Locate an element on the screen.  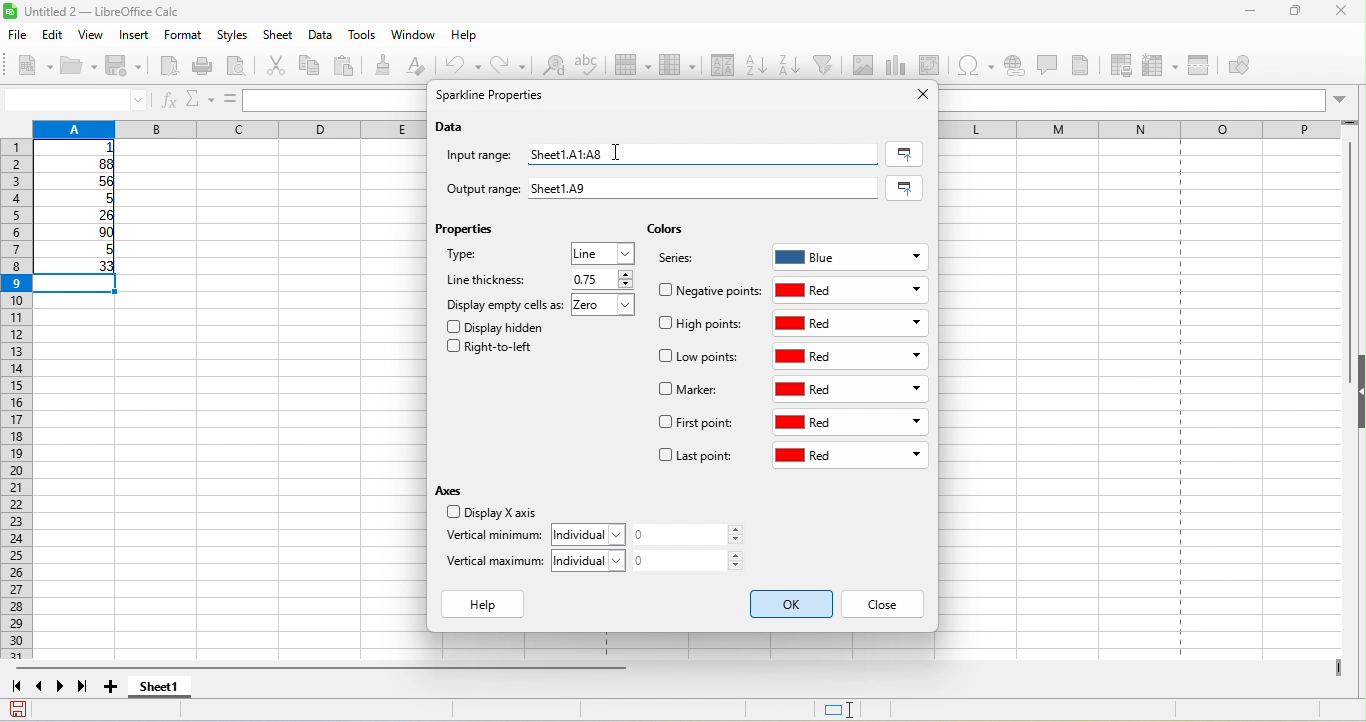
open is located at coordinates (80, 67).